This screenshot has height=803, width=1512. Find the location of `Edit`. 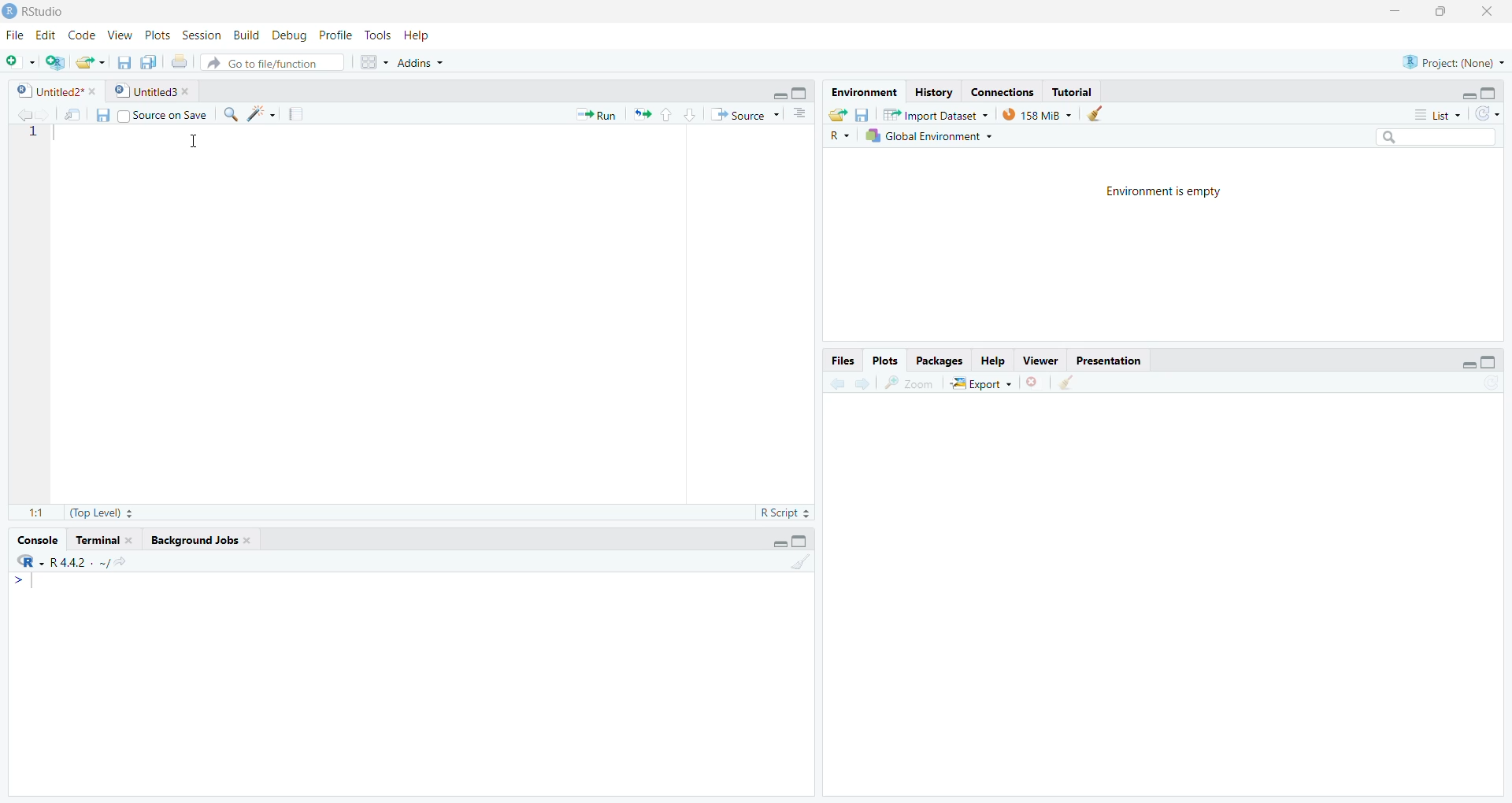

Edit is located at coordinates (46, 32).